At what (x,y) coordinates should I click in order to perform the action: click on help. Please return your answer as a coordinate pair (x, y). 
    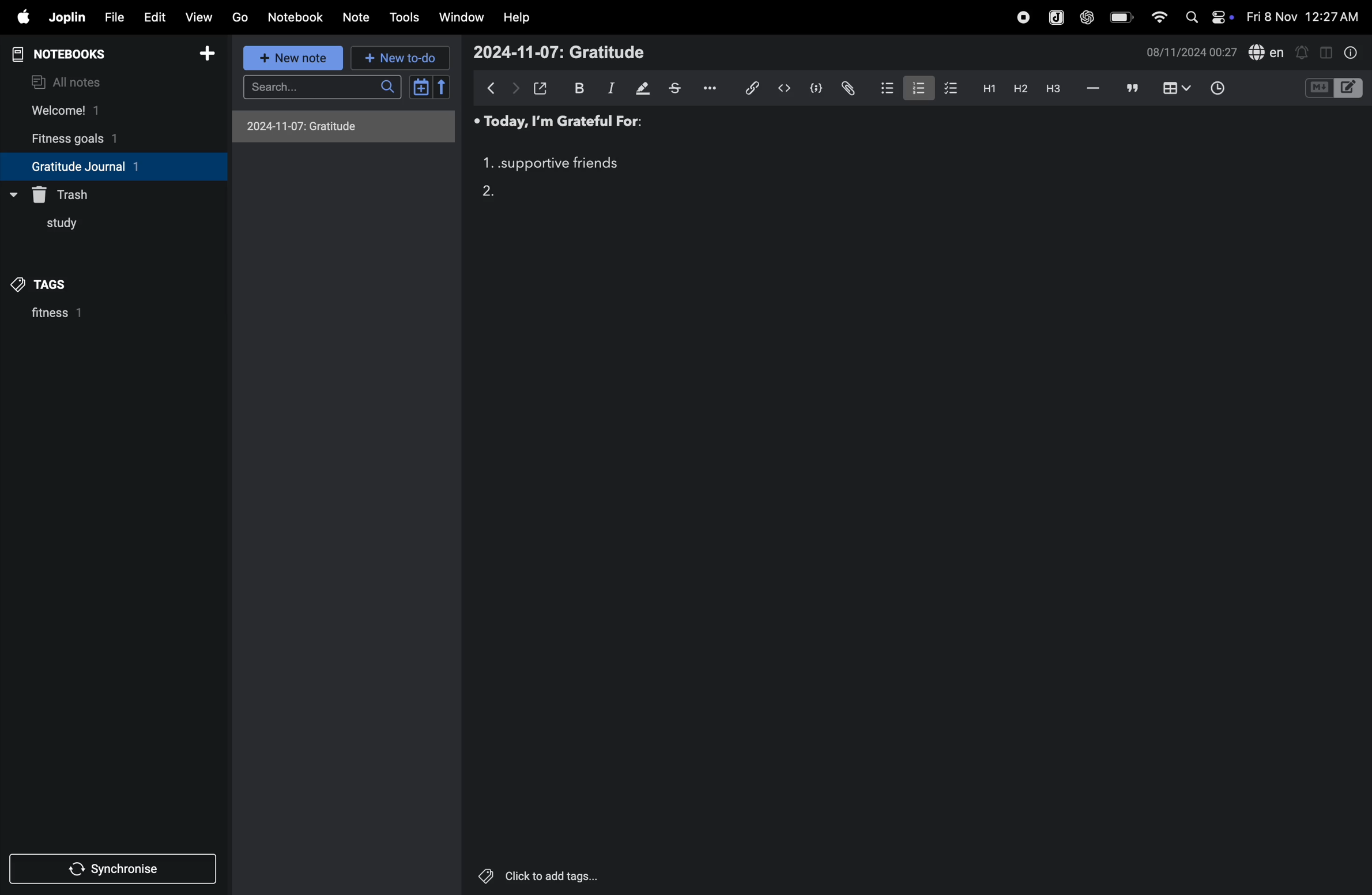
    Looking at the image, I should click on (517, 18).